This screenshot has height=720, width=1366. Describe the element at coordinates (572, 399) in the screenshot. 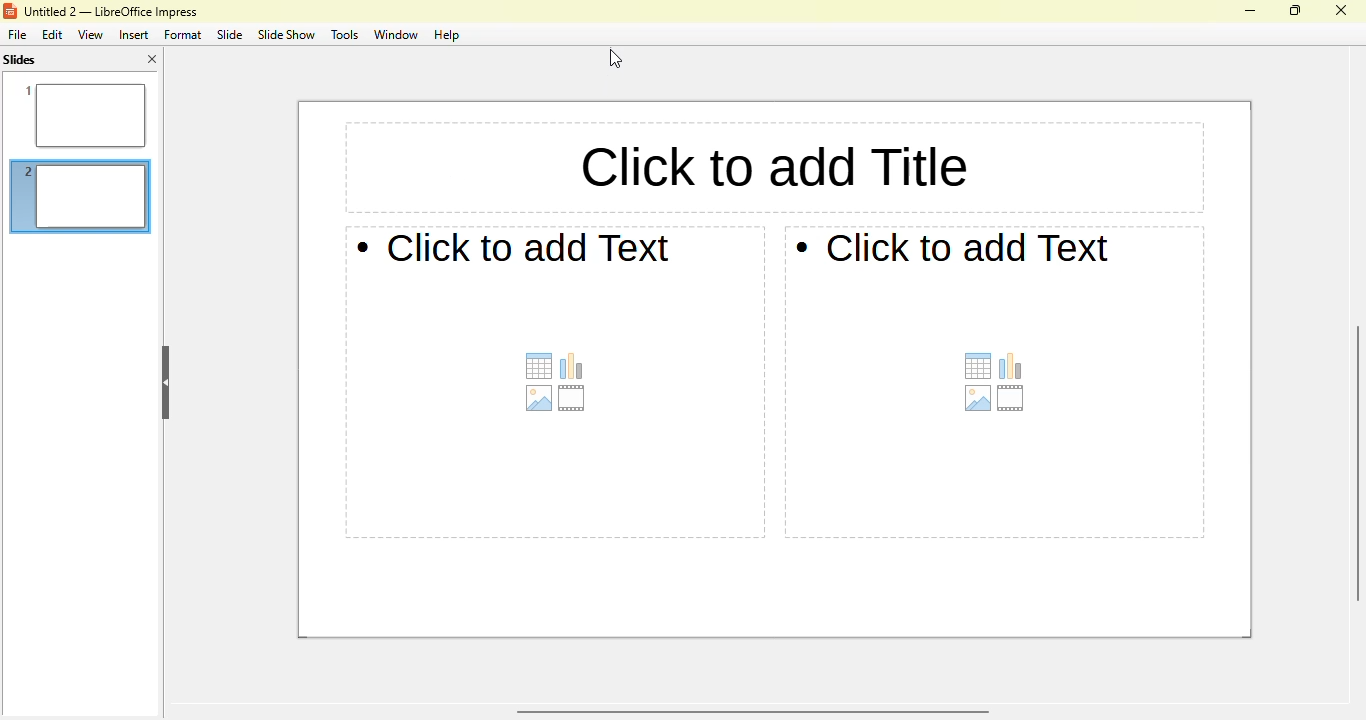

I see `insert audio or video` at that location.